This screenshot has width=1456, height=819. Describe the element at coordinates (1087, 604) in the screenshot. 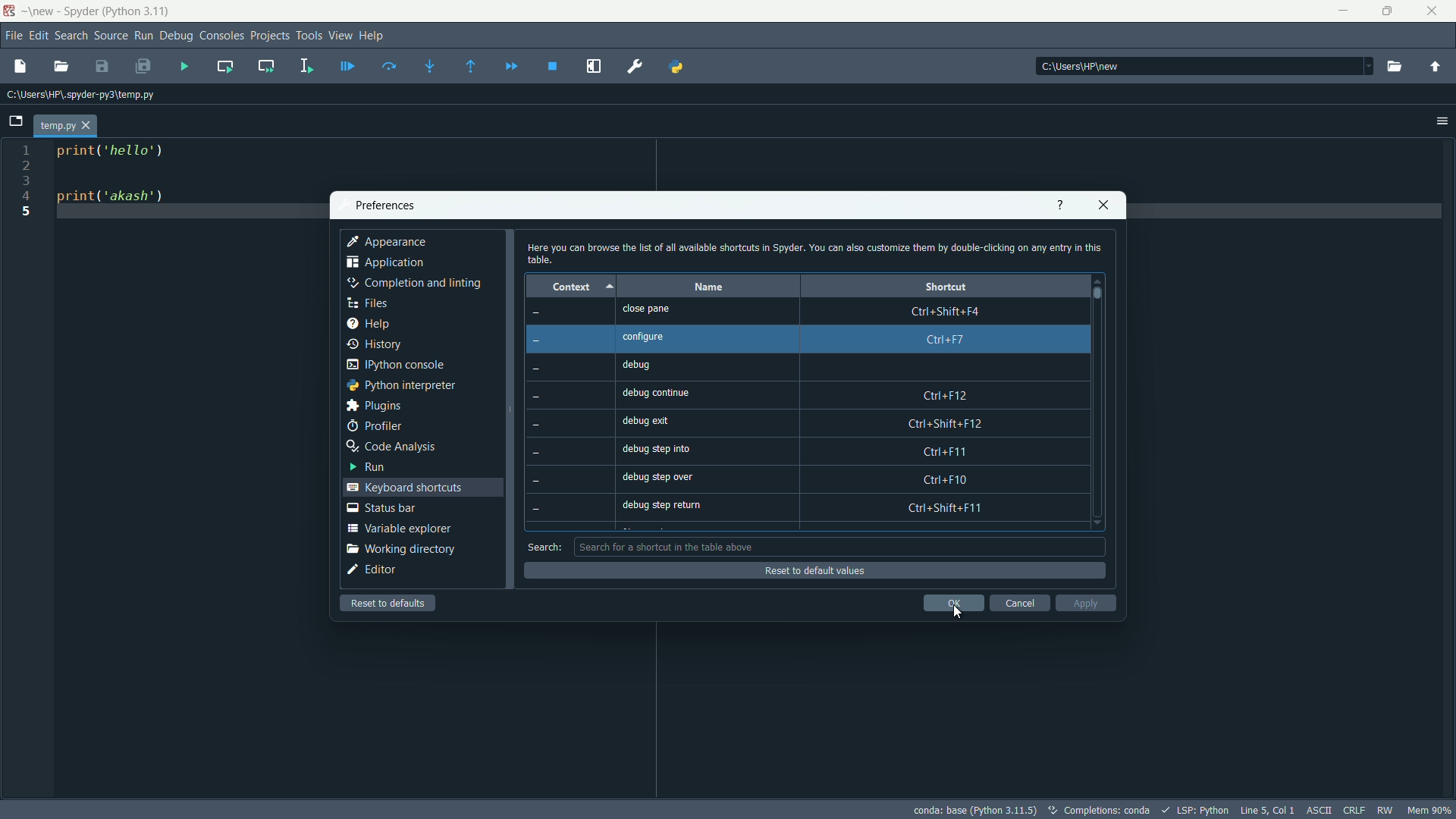

I see `apply` at that location.